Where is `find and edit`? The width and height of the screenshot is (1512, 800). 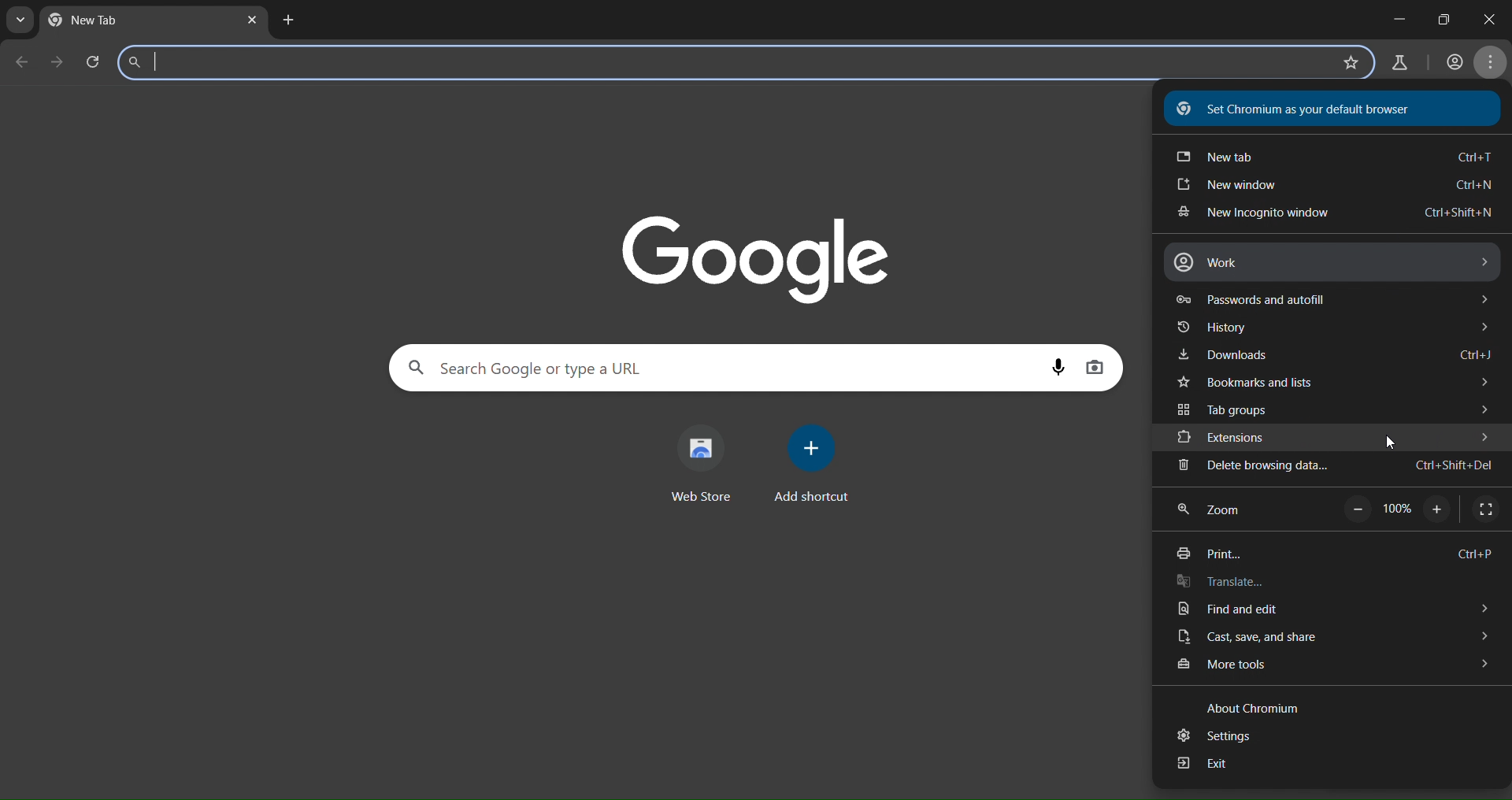 find and edit is located at coordinates (1340, 609).